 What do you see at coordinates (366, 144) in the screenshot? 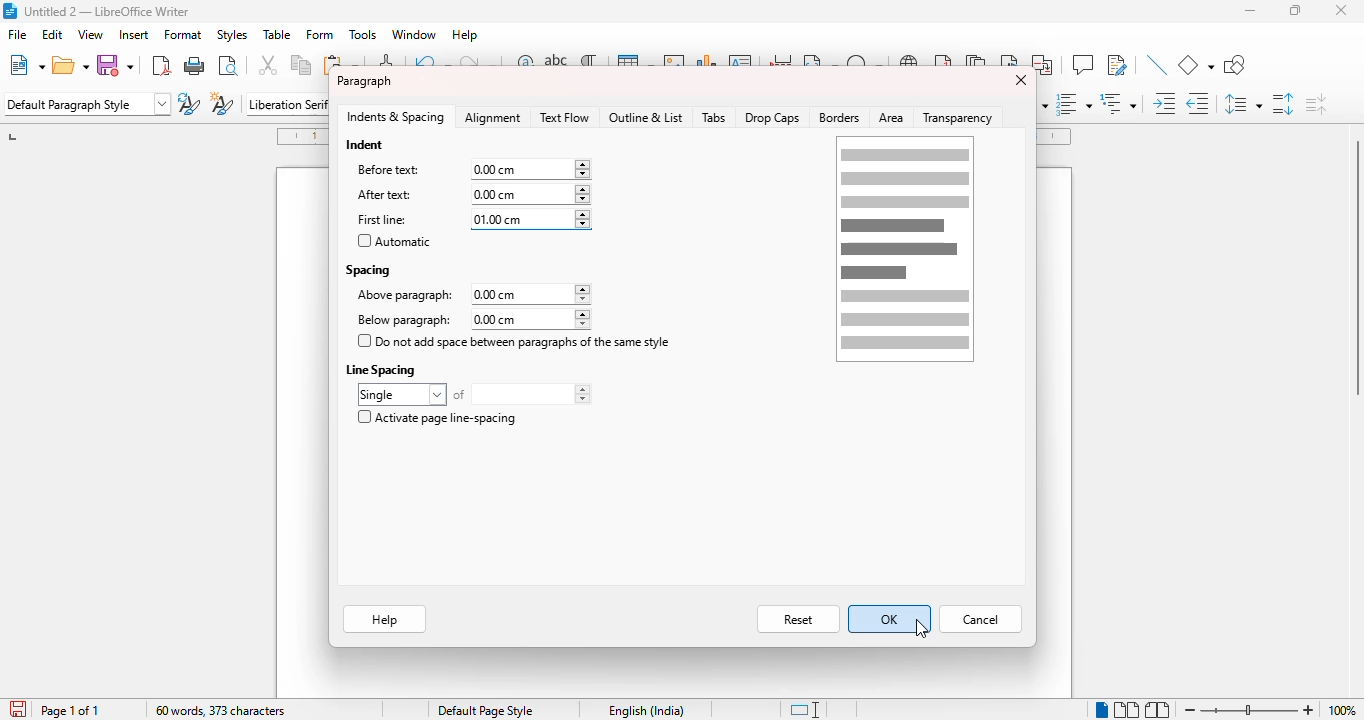
I see `indent` at bounding box center [366, 144].